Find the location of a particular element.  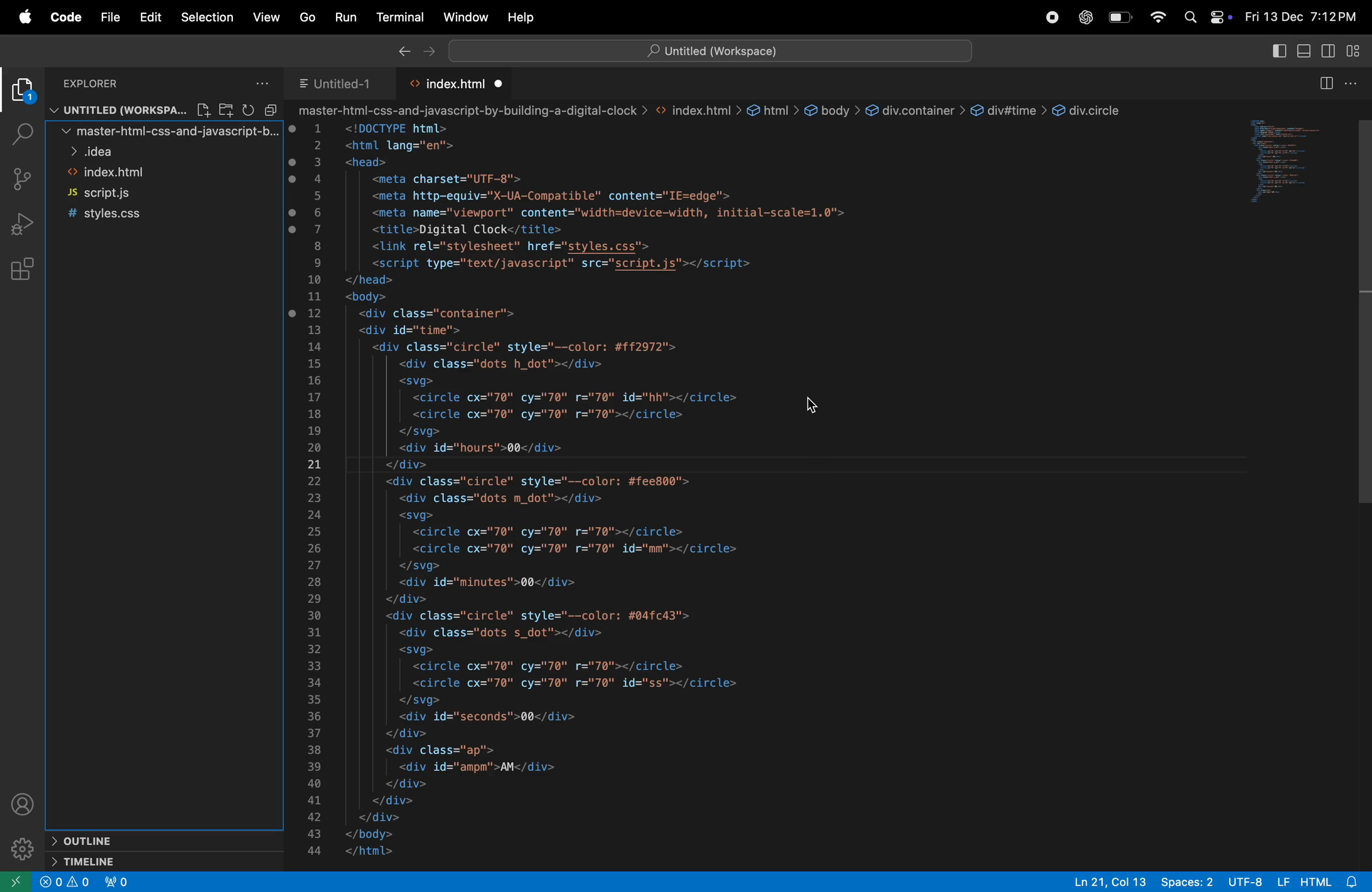

toggle panel is located at coordinates (1303, 52).